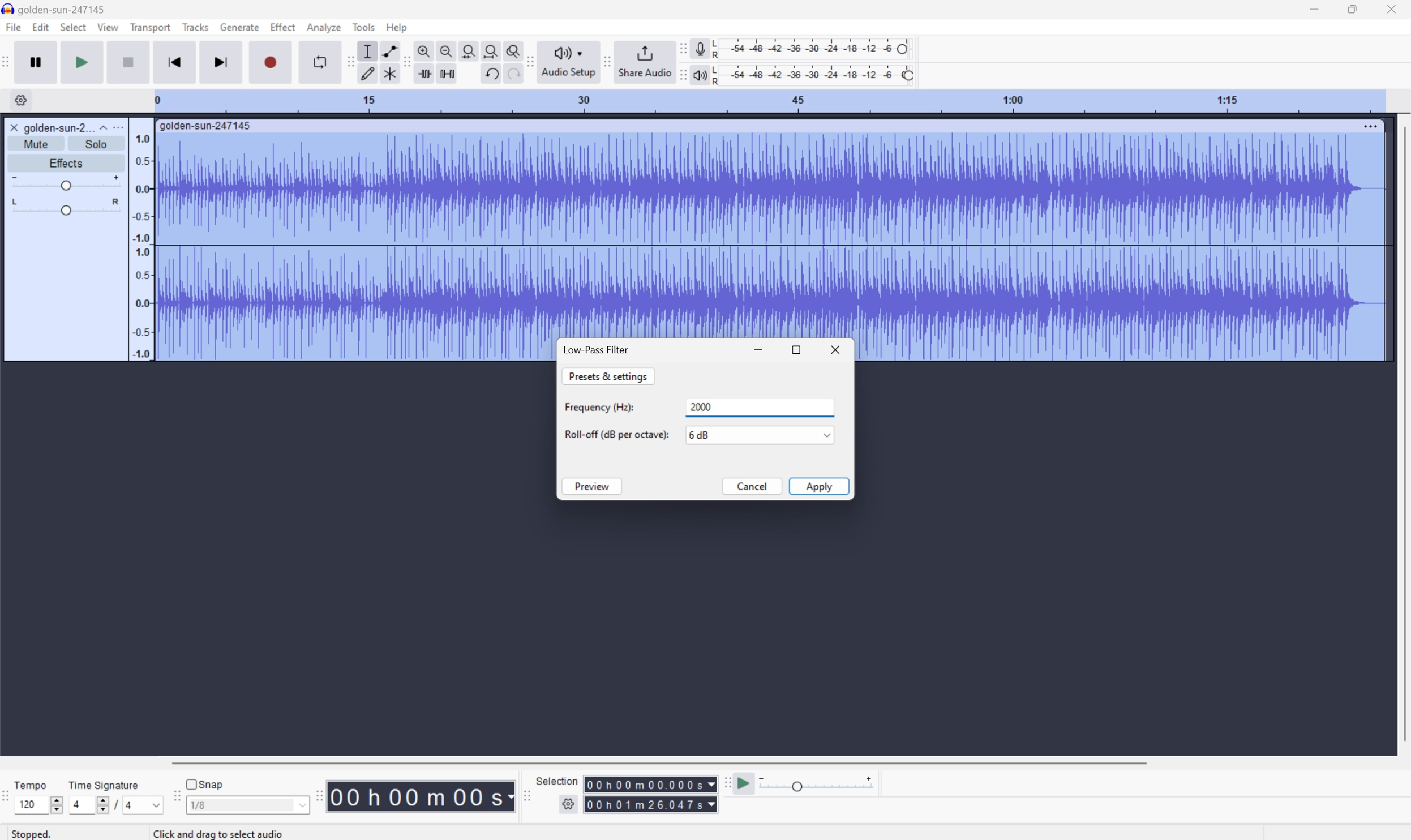 The width and height of the screenshot is (1411, 840). Describe the element at coordinates (96, 144) in the screenshot. I see `Solo` at that location.